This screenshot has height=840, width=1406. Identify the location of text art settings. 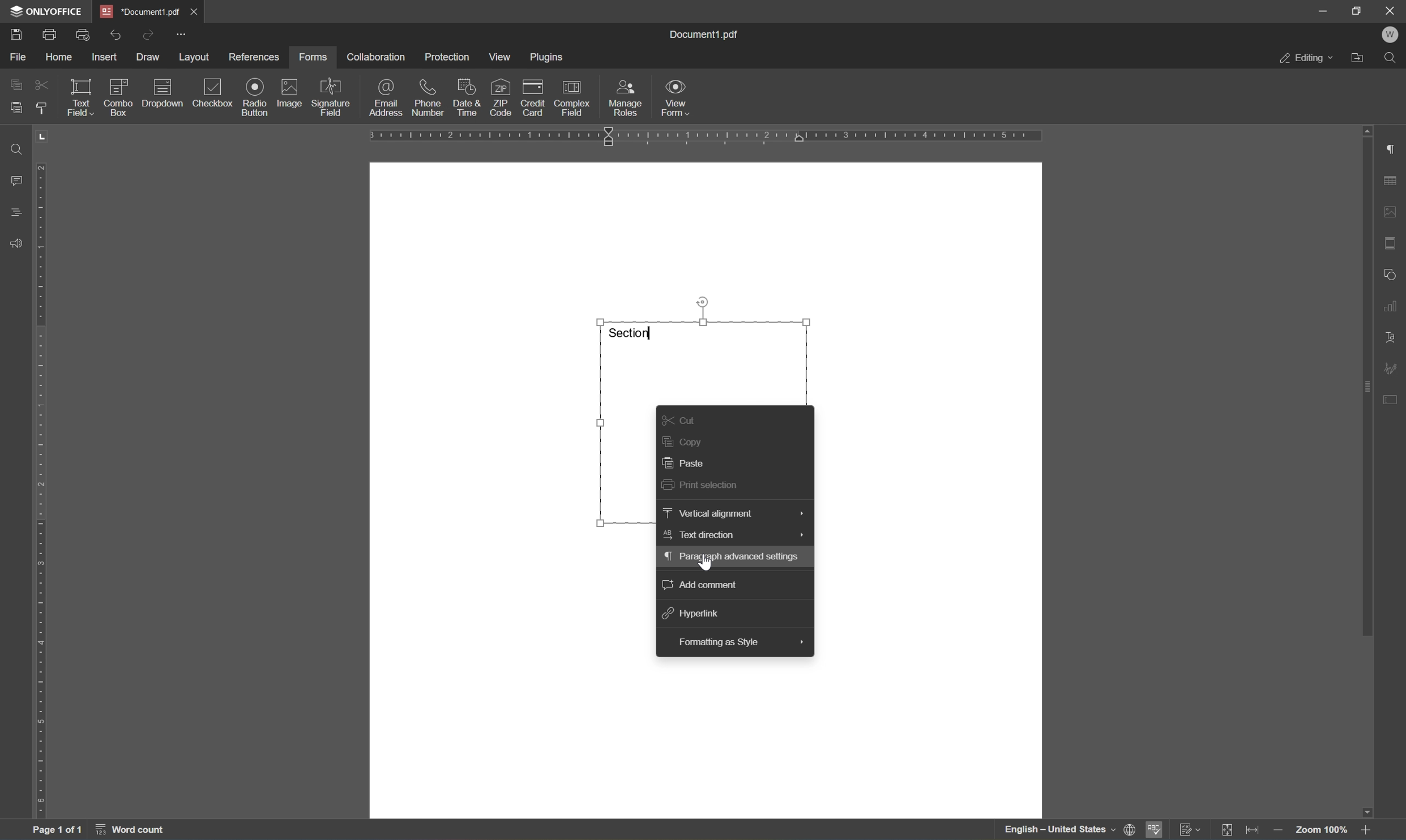
(1392, 338).